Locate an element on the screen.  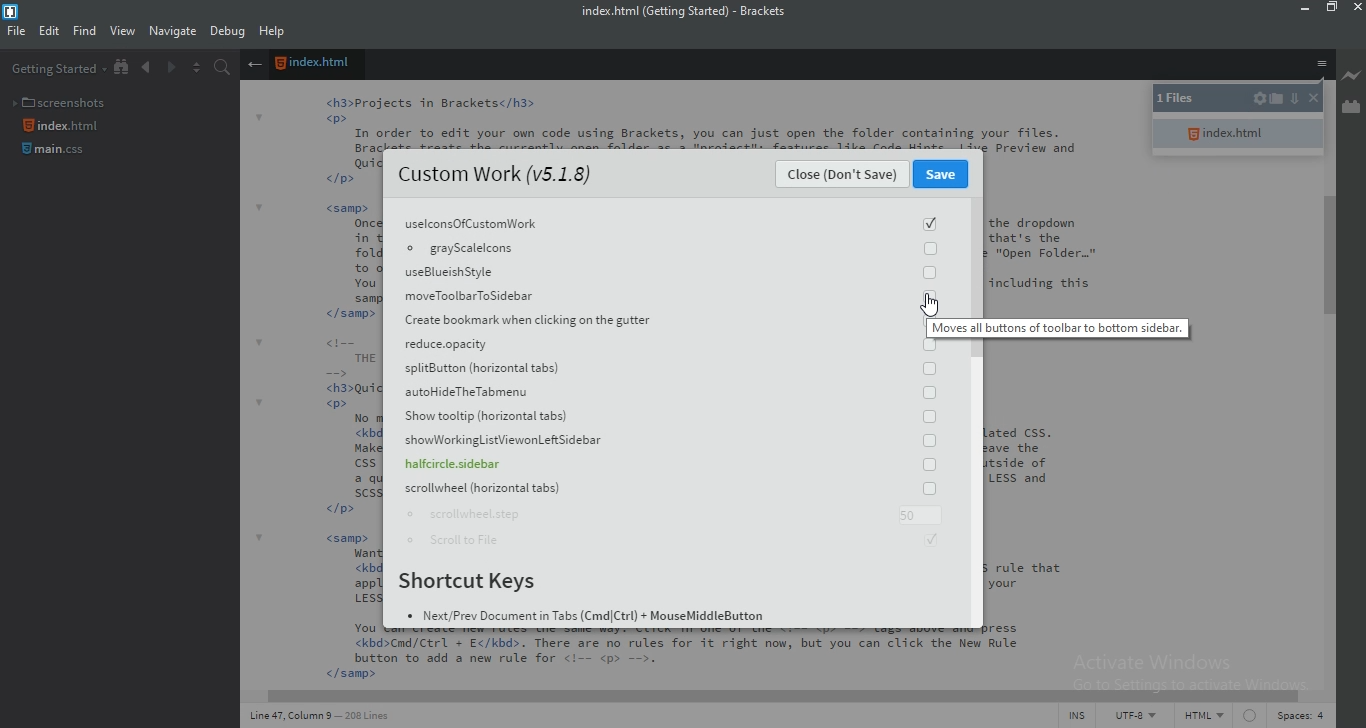
file name is located at coordinates (691, 12).